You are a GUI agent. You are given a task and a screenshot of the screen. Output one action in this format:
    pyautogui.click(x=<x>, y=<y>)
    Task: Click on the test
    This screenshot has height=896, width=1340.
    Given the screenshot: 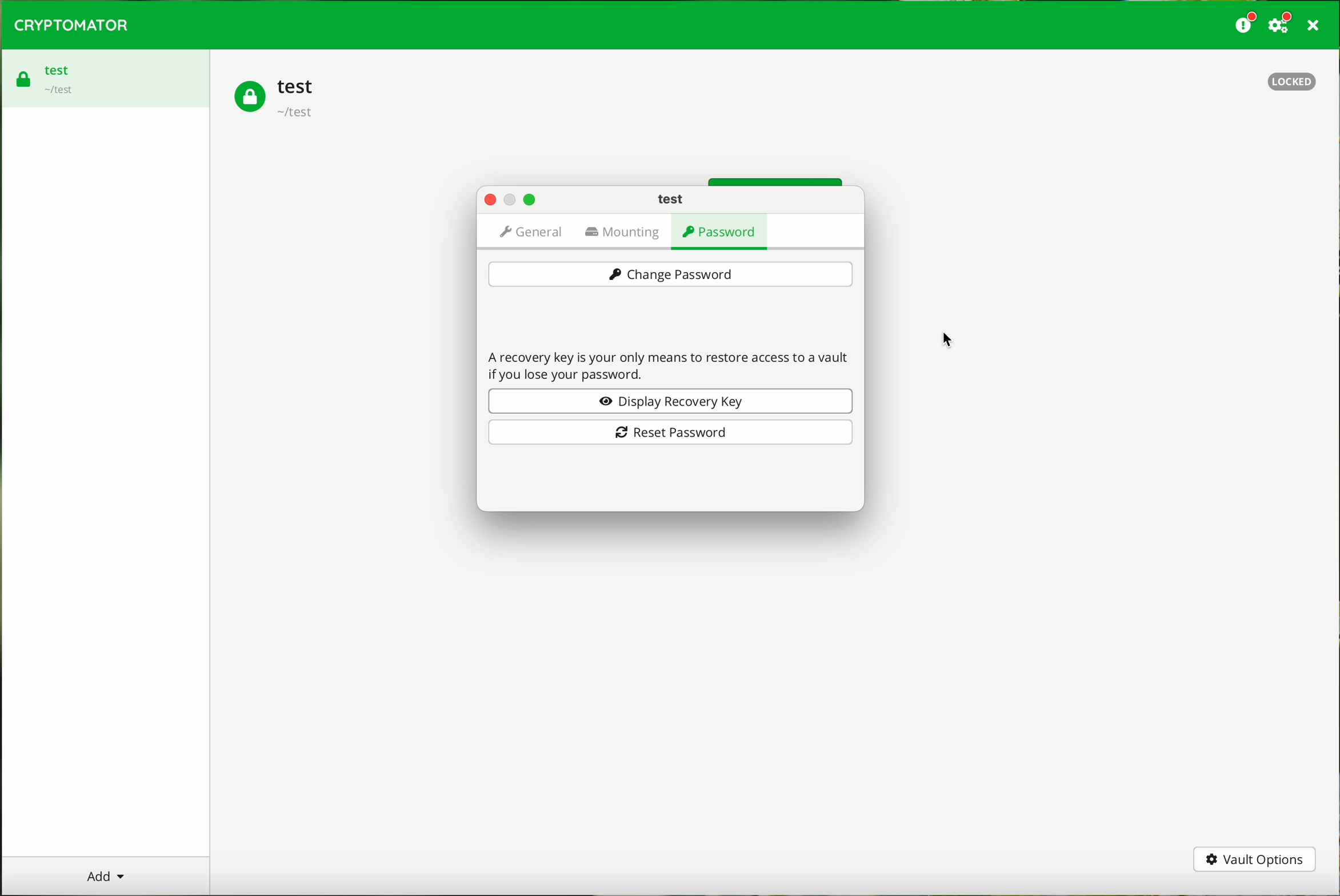 What is the action you would take?
    pyautogui.click(x=671, y=199)
    